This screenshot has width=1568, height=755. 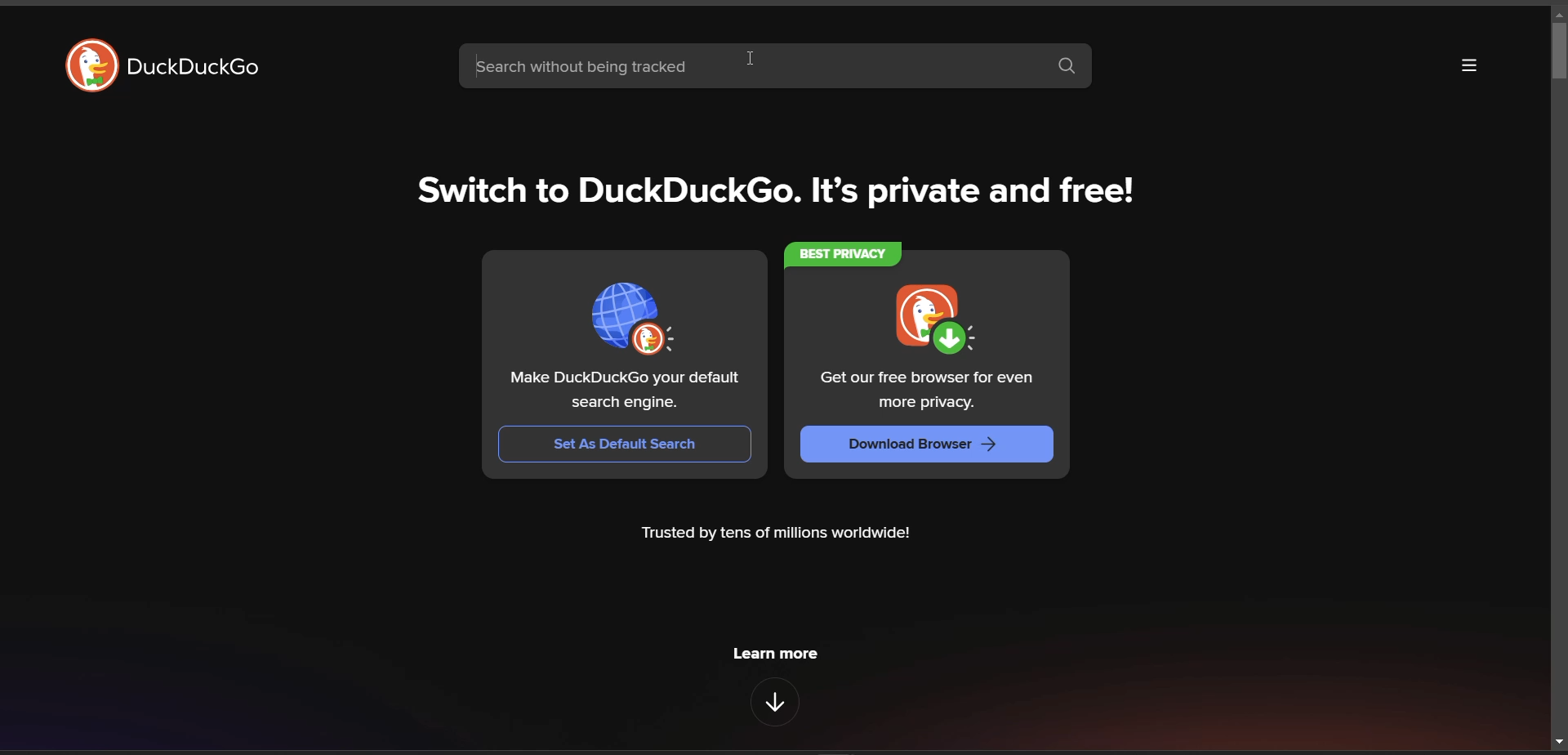 I want to click on vertical slide bar, so click(x=1557, y=53).